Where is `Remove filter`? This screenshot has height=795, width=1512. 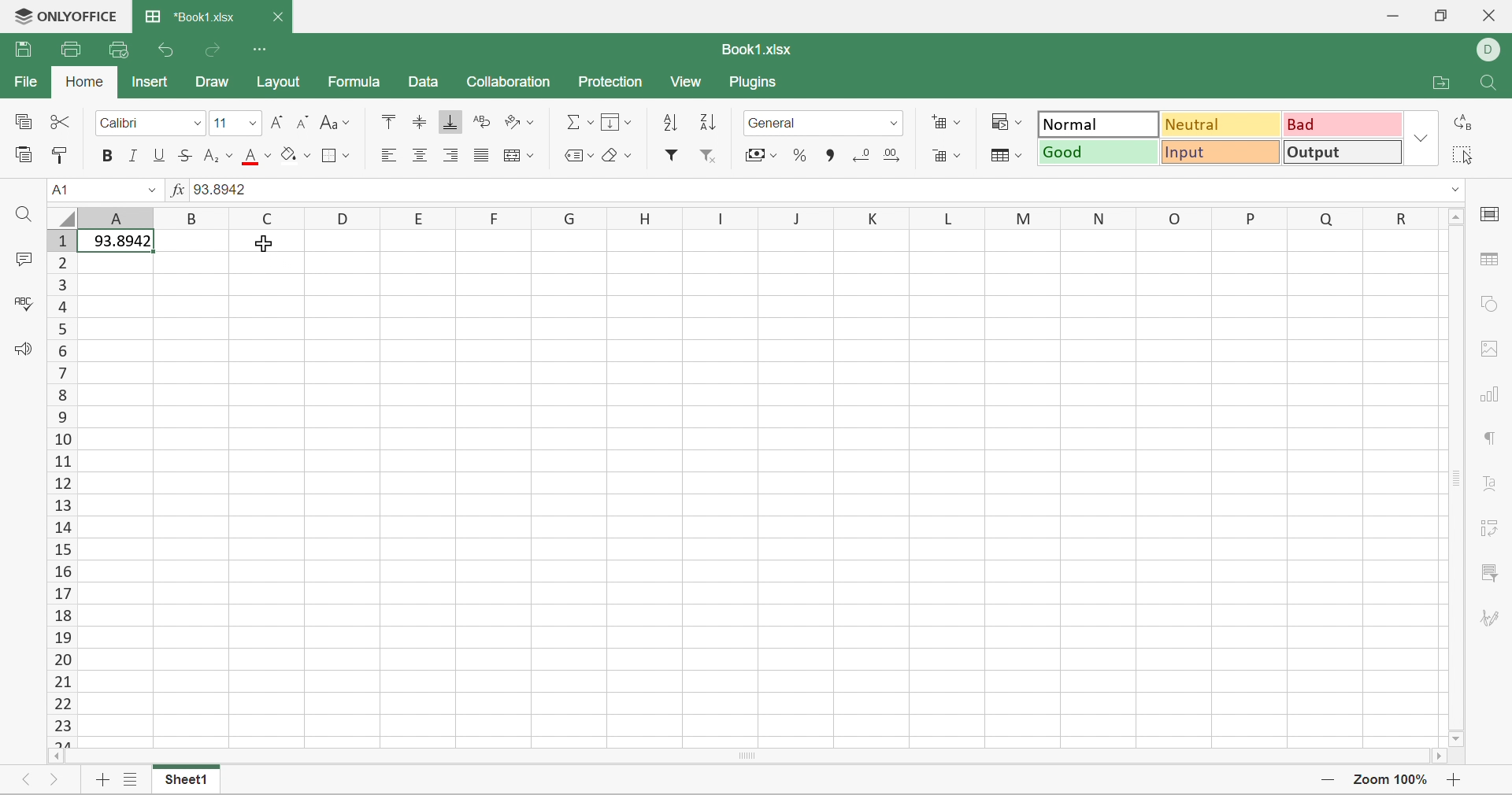
Remove filter is located at coordinates (712, 155).